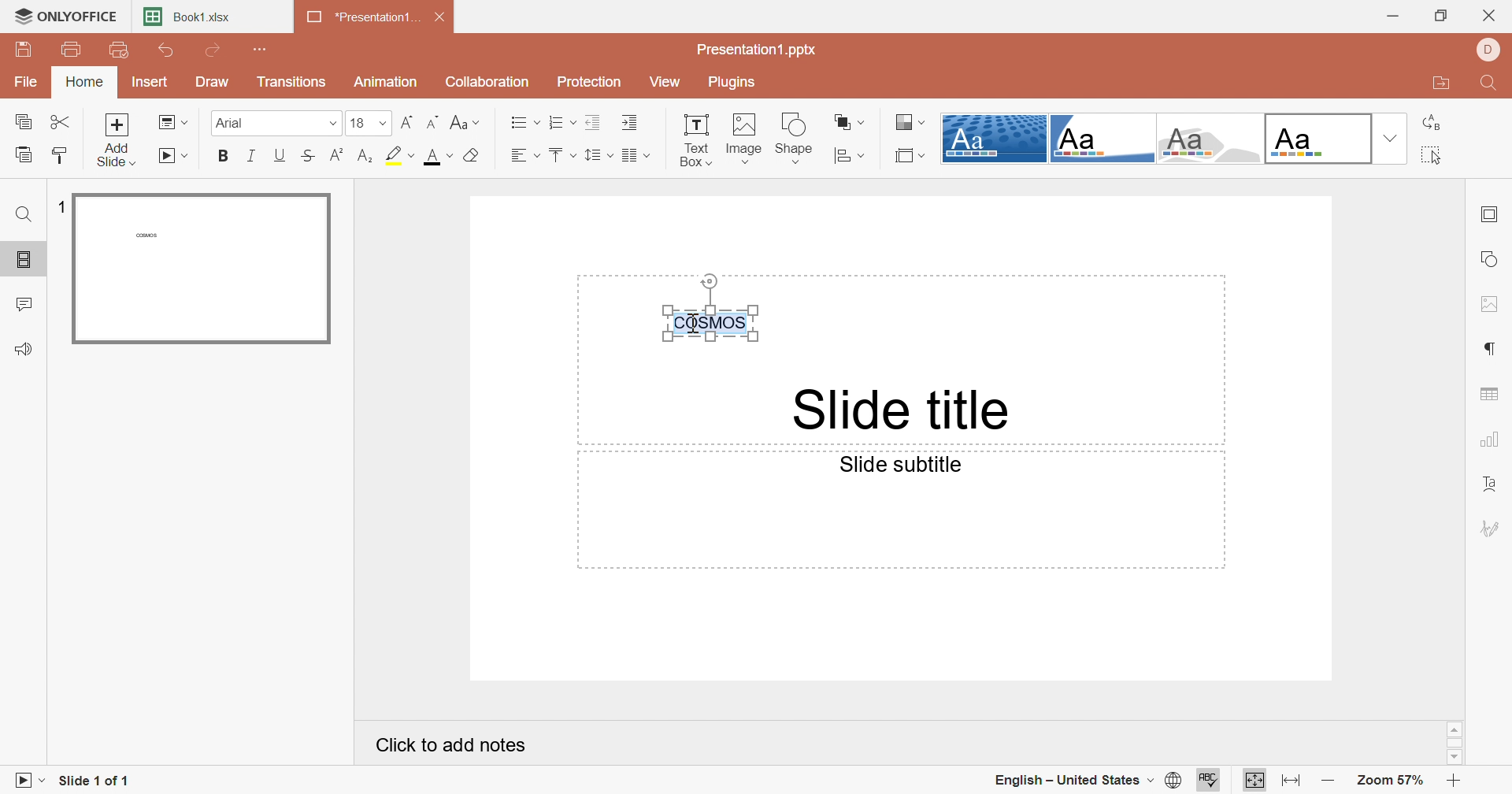 The image size is (1512, 794). I want to click on Clear style, so click(472, 157).